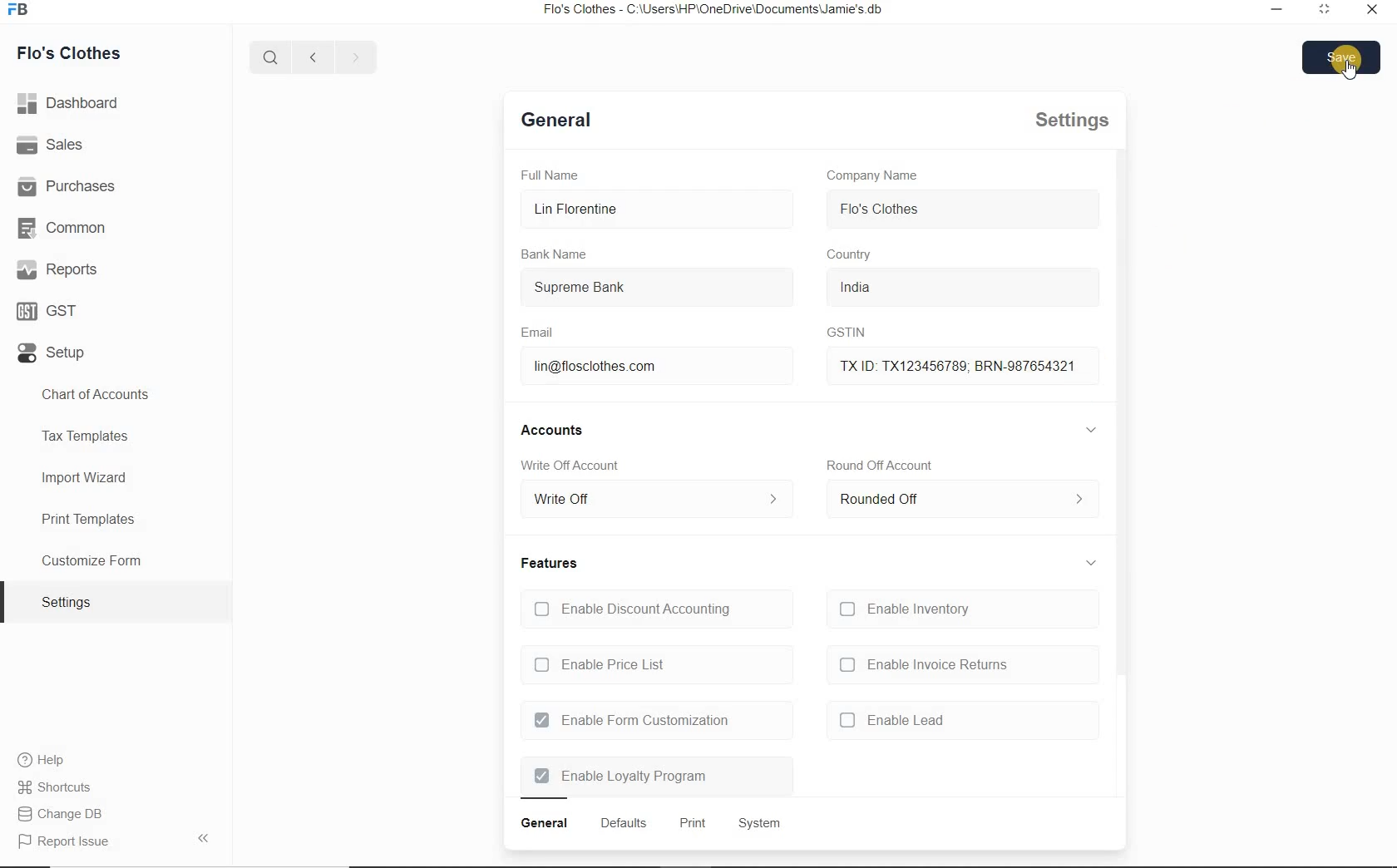  Describe the element at coordinates (353, 57) in the screenshot. I see `next` at that location.